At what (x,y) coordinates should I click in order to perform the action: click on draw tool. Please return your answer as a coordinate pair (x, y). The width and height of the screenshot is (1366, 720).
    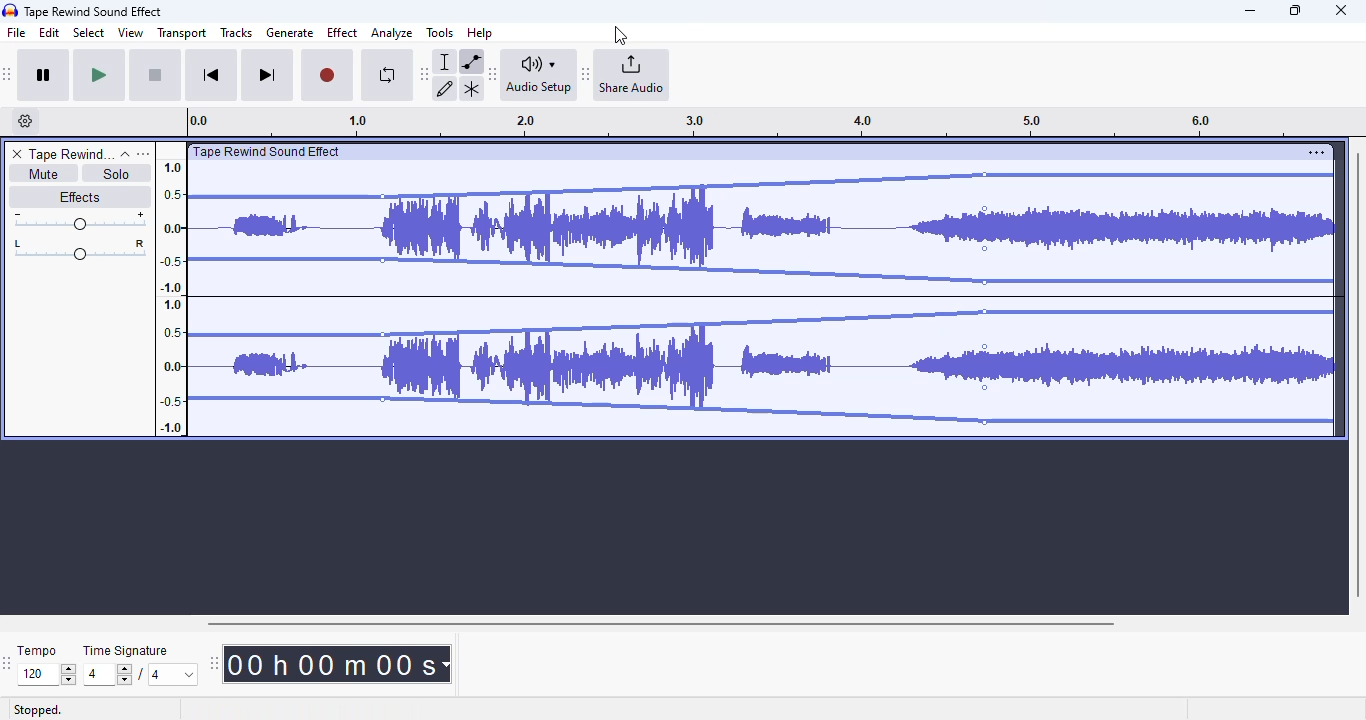
    Looking at the image, I should click on (446, 88).